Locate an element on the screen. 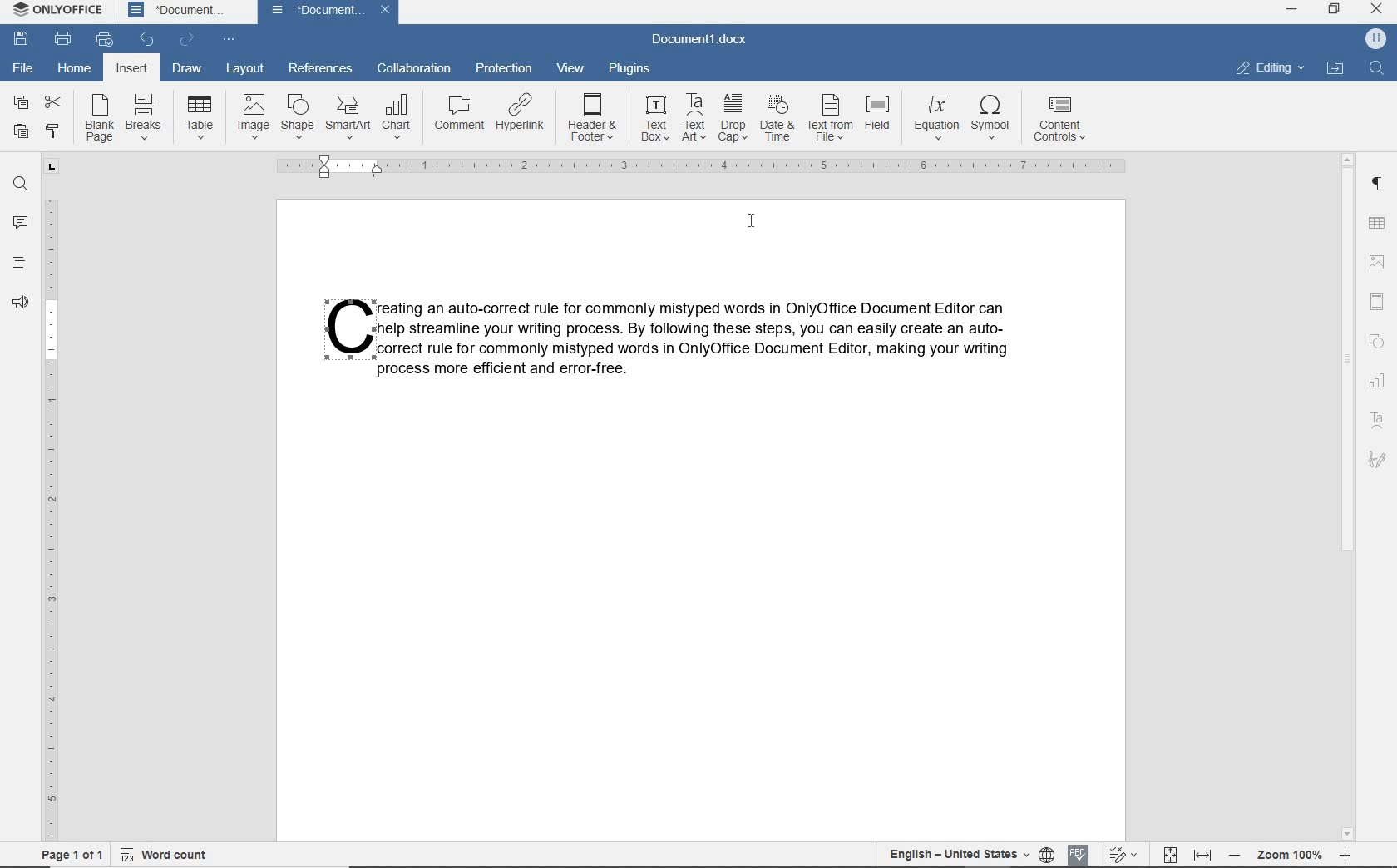 This screenshot has width=1397, height=868. plugins is located at coordinates (631, 70).